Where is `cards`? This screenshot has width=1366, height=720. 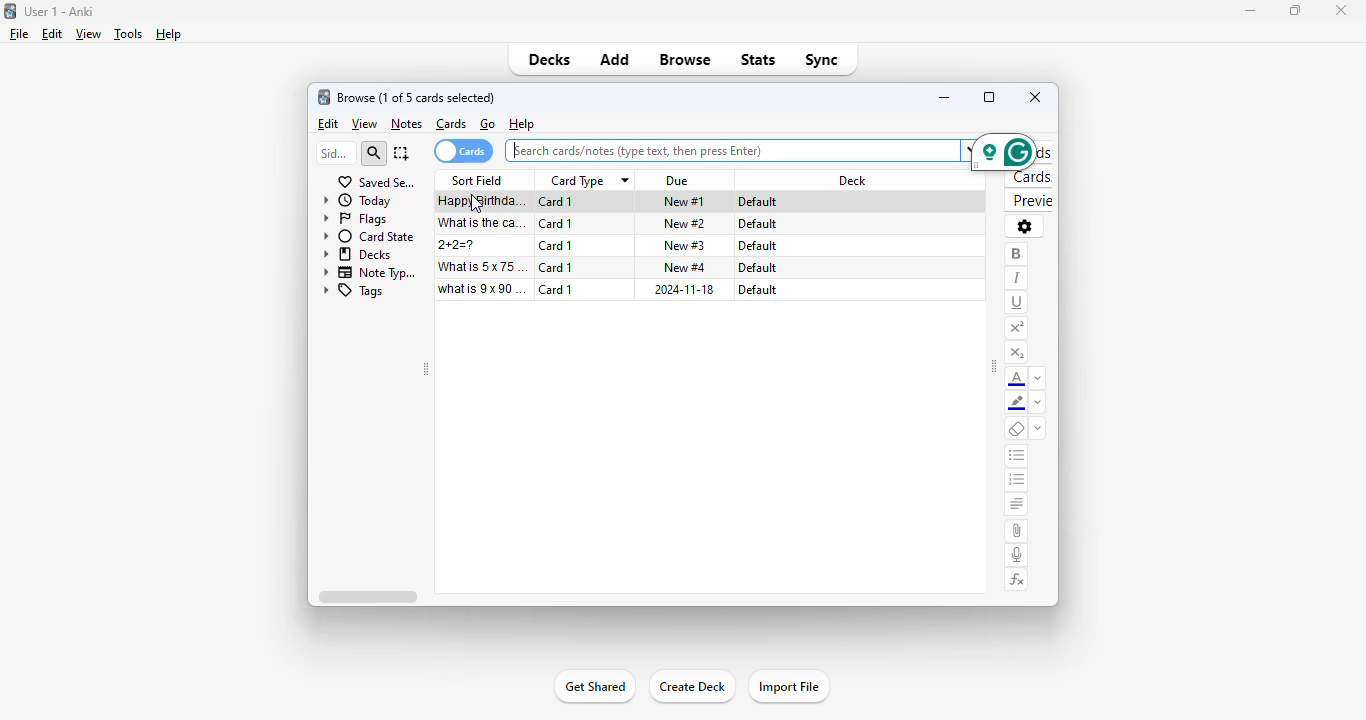
cards is located at coordinates (463, 151).